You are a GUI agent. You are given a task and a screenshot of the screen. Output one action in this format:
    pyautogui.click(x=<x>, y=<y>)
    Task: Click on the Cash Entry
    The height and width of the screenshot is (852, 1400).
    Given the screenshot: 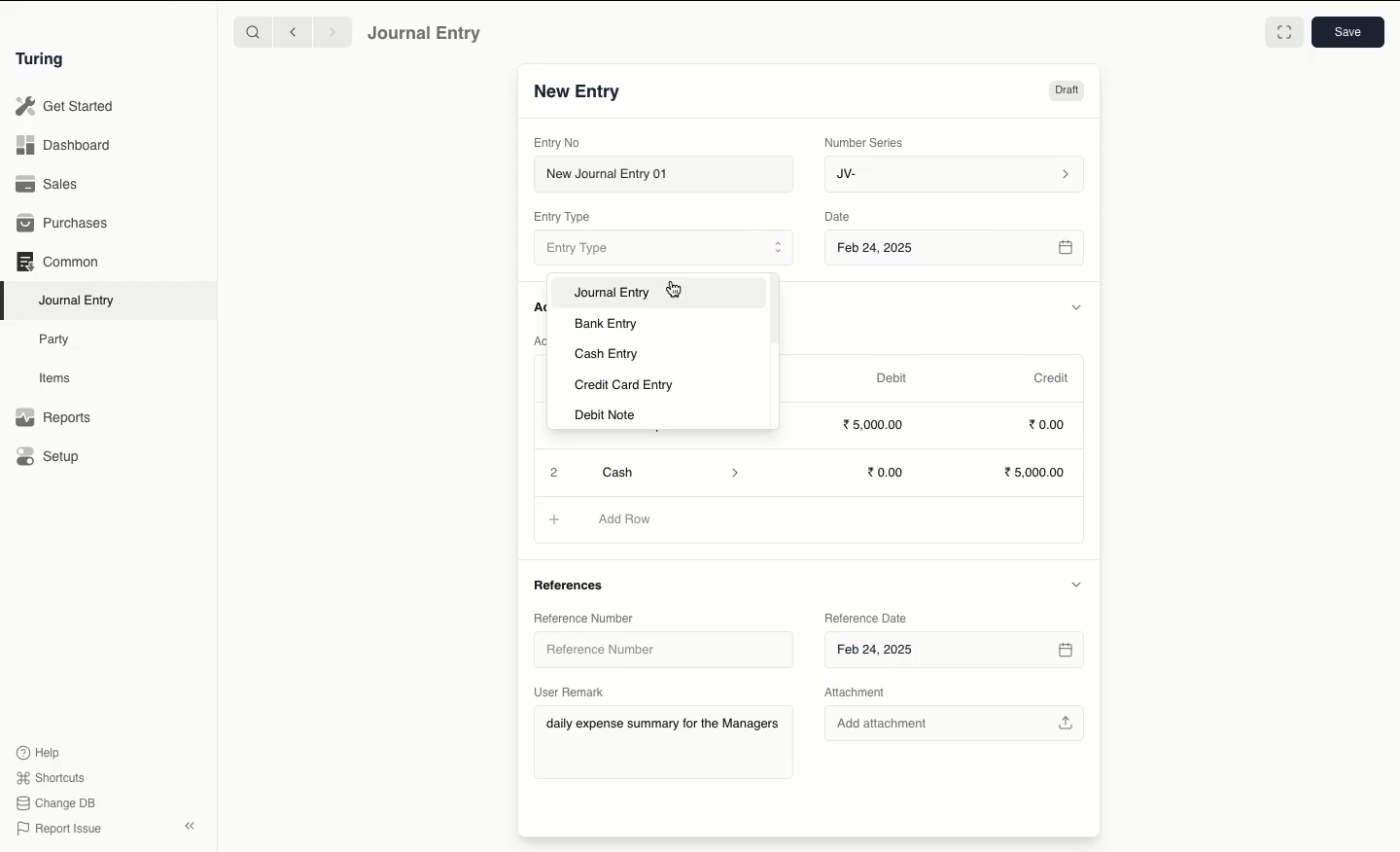 What is the action you would take?
    pyautogui.click(x=605, y=354)
    